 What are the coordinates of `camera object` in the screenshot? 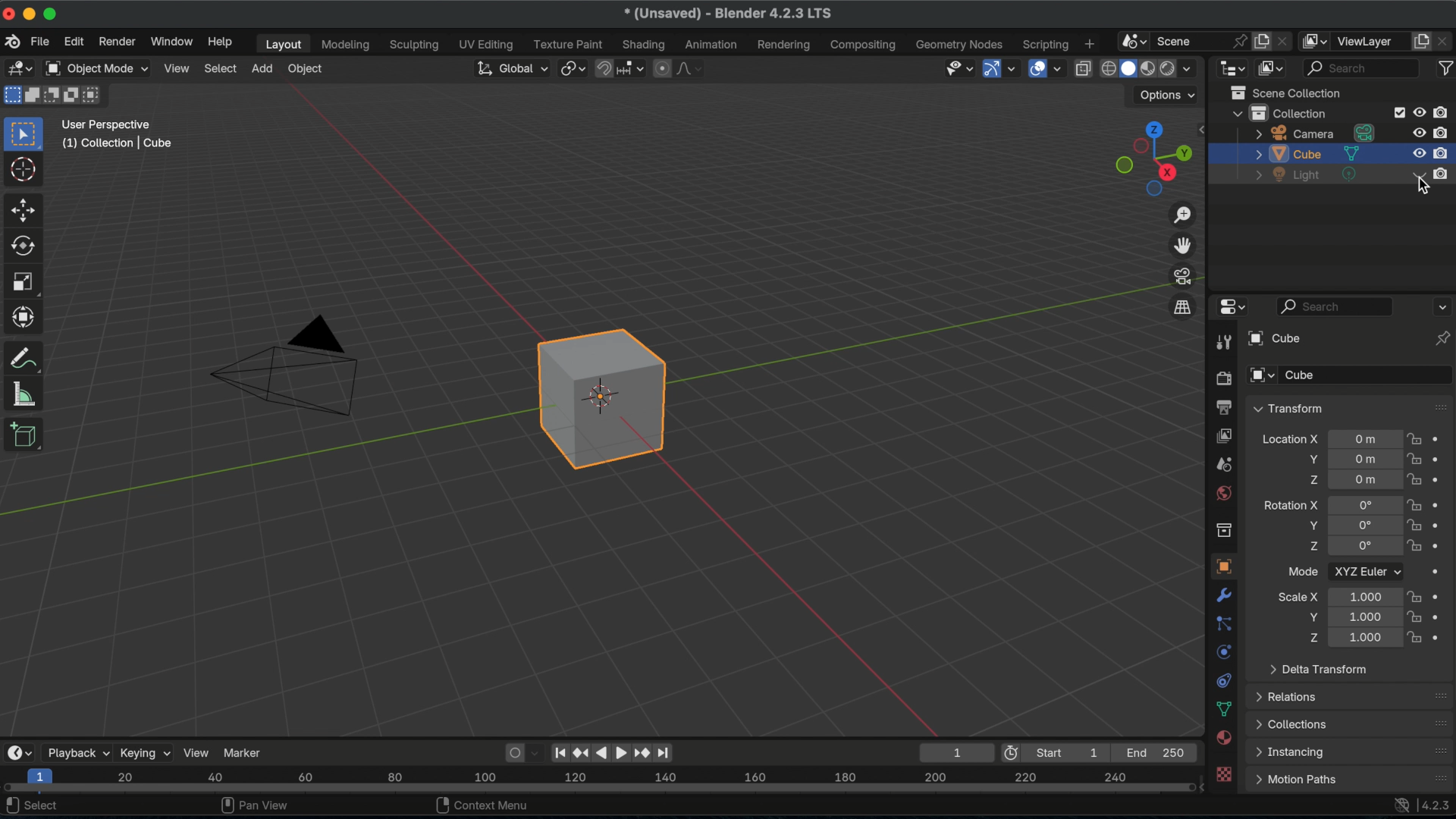 It's located at (284, 366).